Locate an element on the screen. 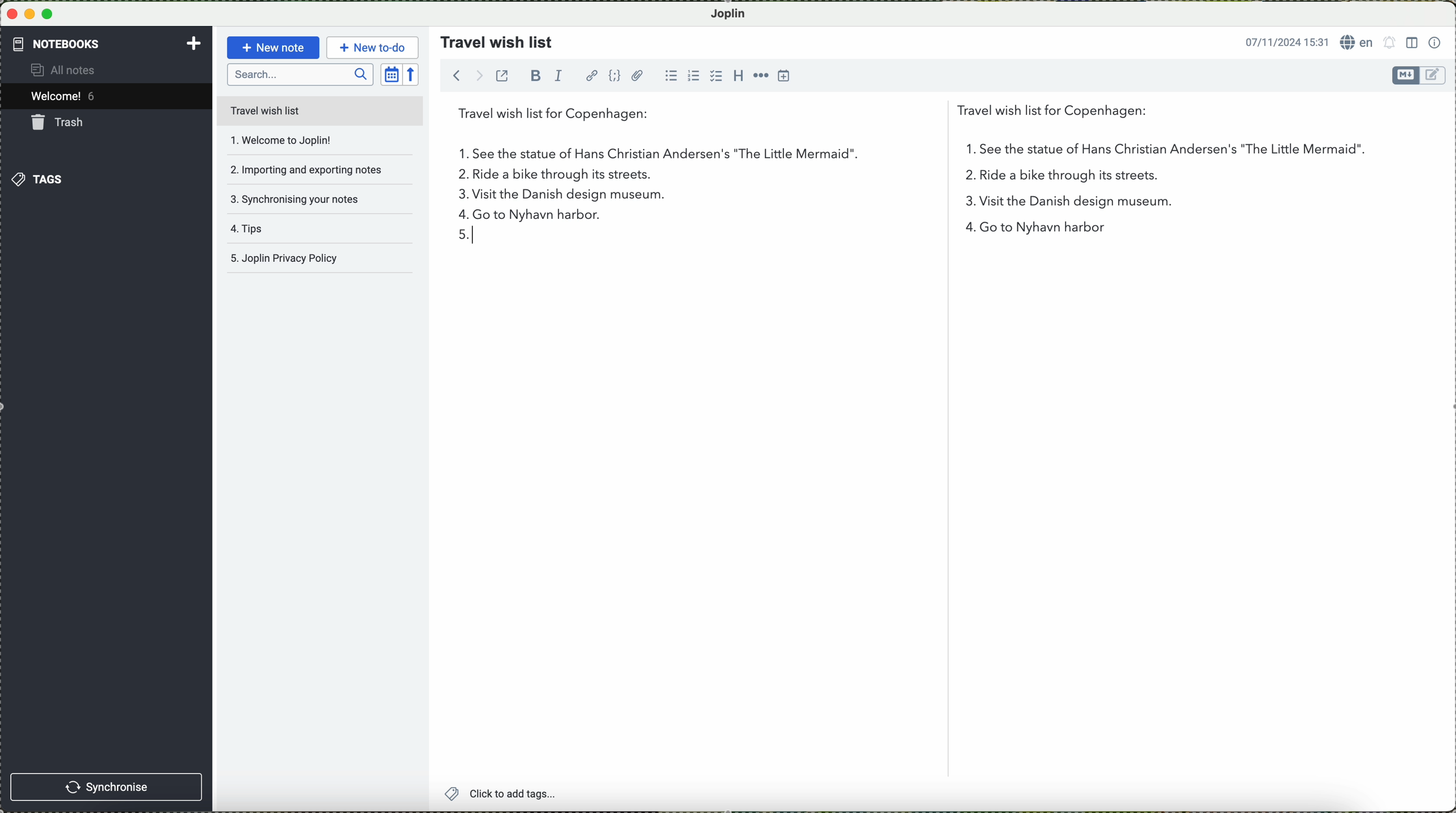  ride a bike through its streets. is located at coordinates (554, 176).